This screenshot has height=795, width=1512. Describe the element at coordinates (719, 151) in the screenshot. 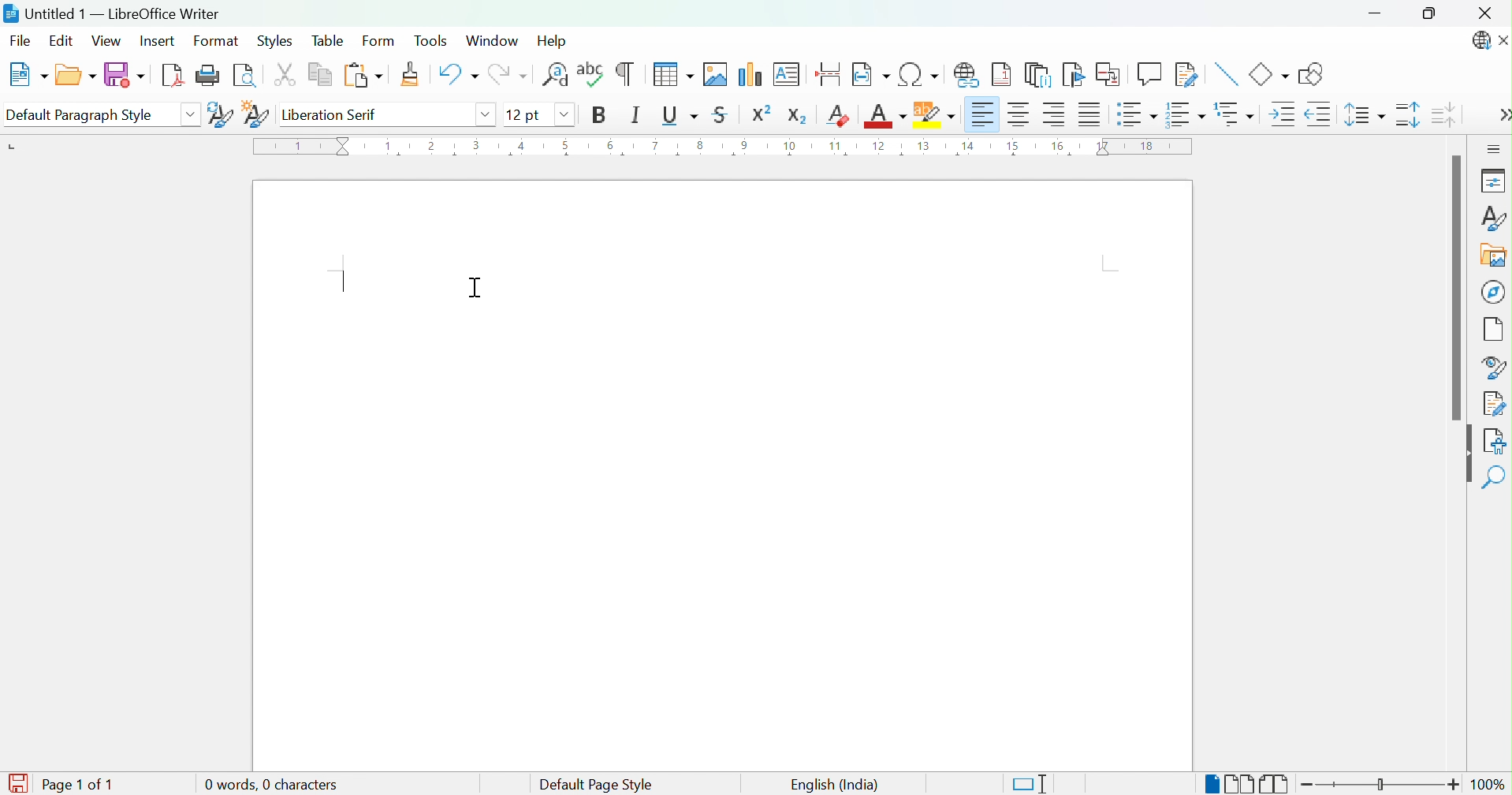

I see `Ruler` at that location.